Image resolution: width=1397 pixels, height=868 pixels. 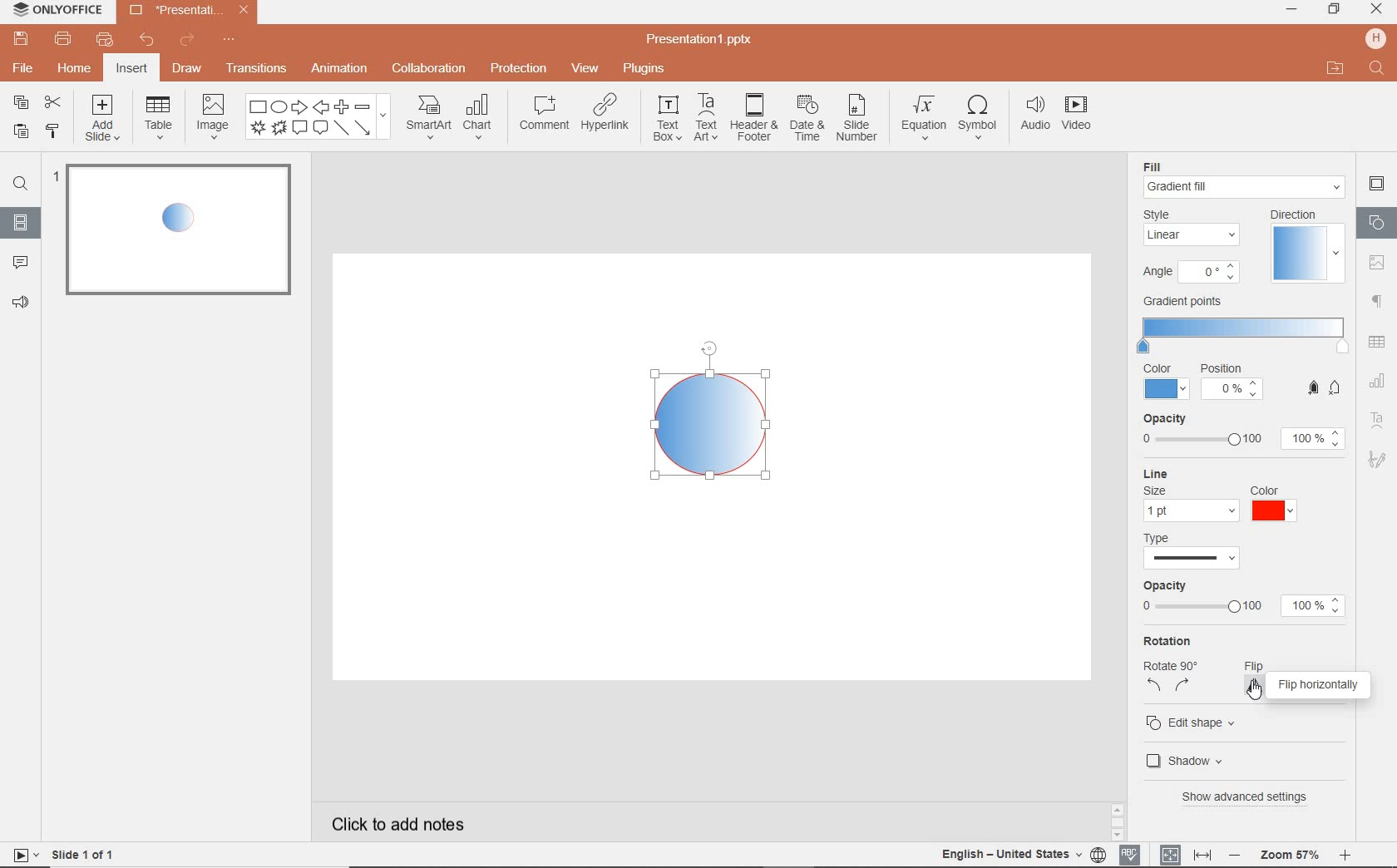 What do you see at coordinates (1195, 550) in the screenshot?
I see `LINE TYPE SETTINGS` at bounding box center [1195, 550].